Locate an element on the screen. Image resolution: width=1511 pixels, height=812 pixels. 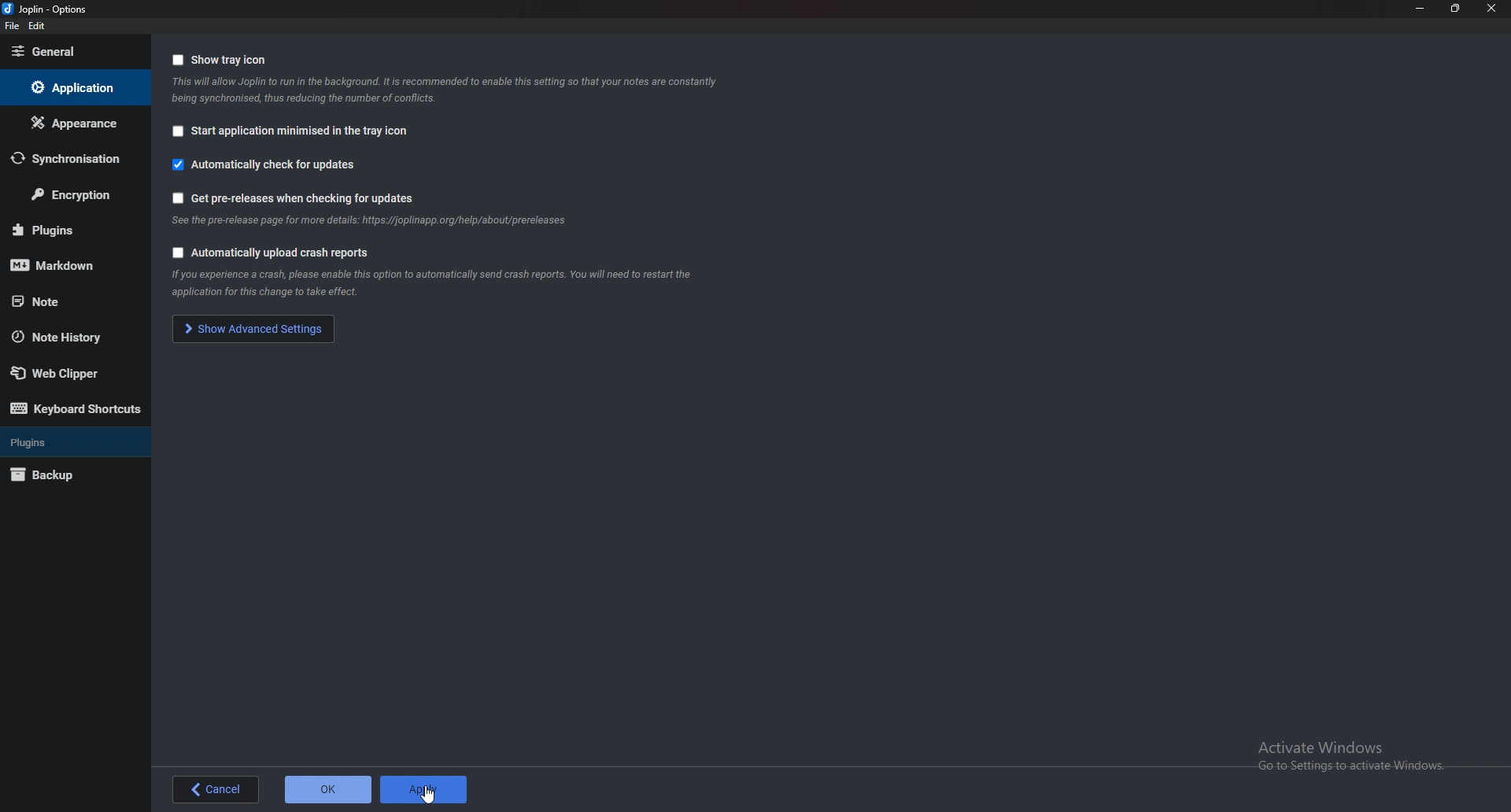
general is located at coordinates (71, 51).